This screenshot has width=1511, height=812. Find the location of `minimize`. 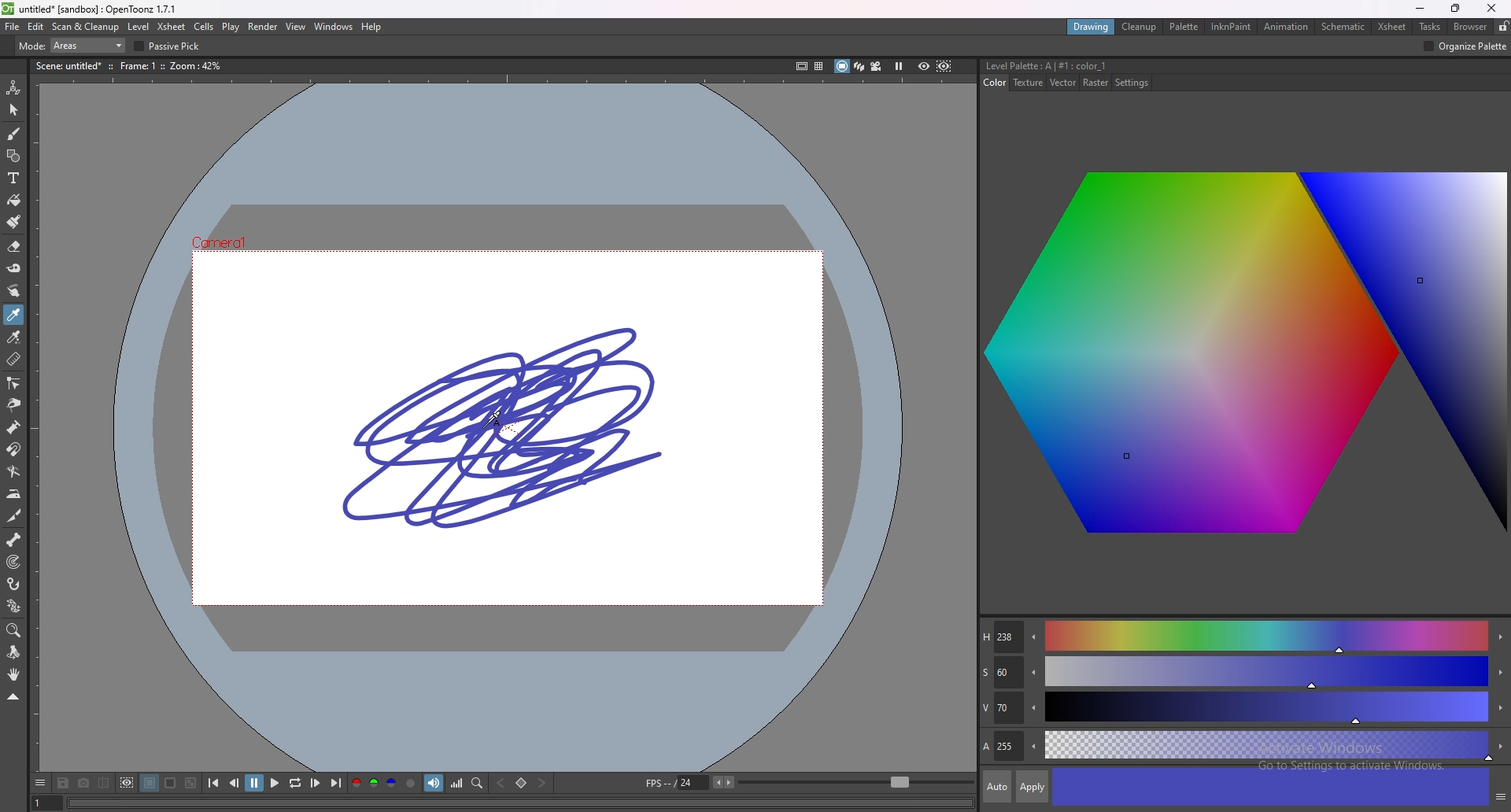

minimize is located at coordinates (1419, 7).